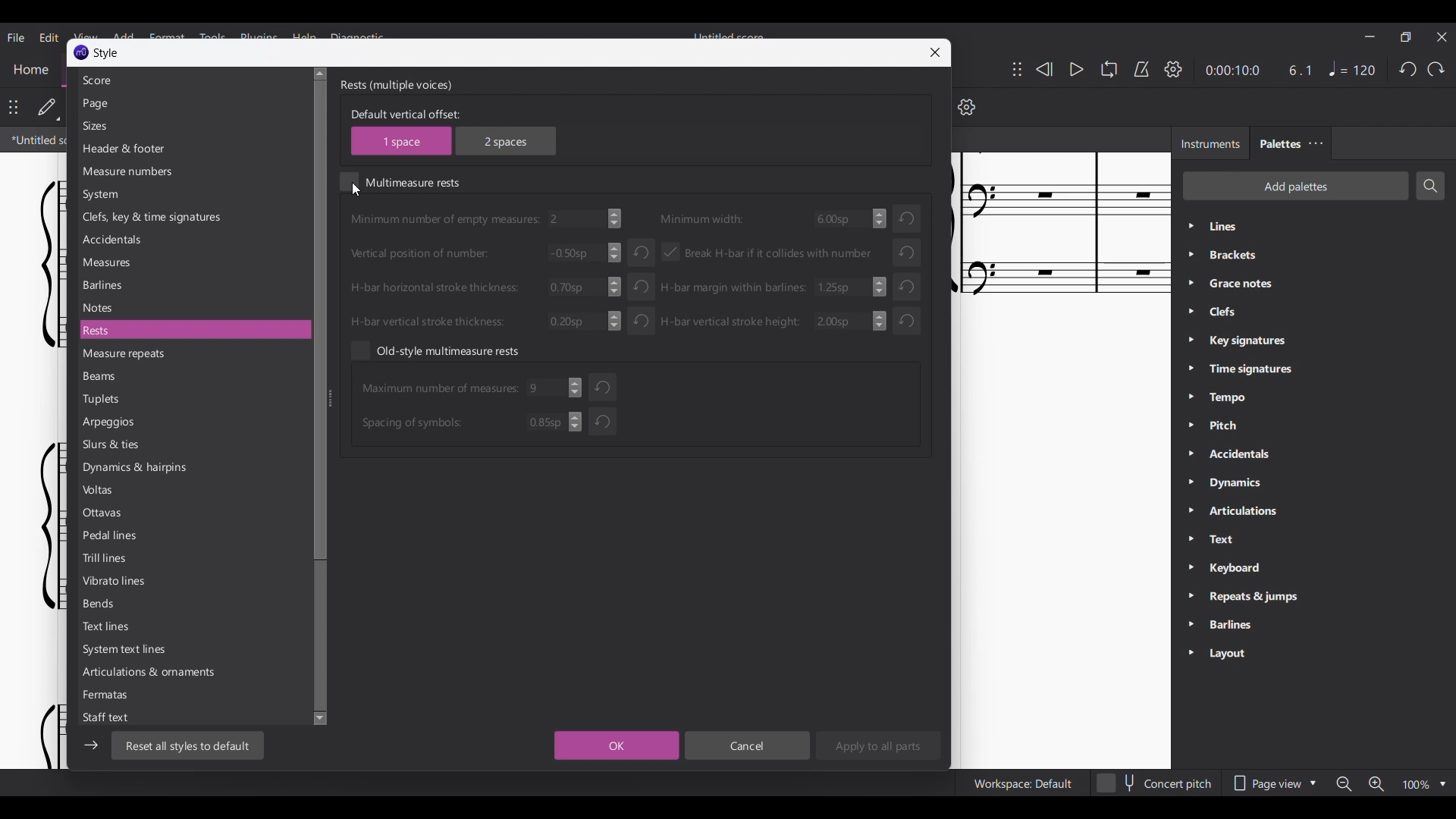 The image size is (1456, 819). I want to click on Input min number of empty measures, so click(476, 219).